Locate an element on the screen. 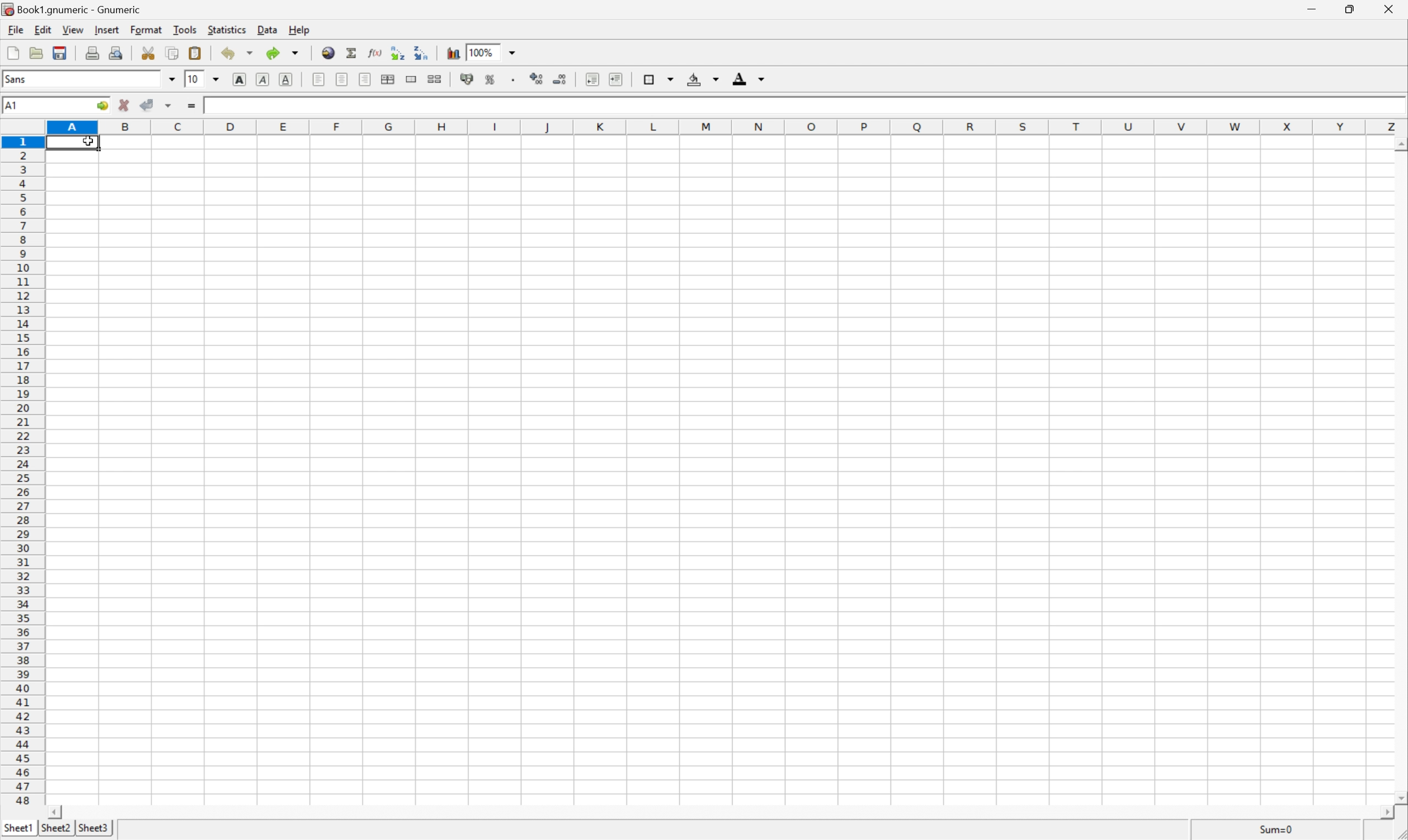 The width and height of the screenshot is (1408, 840). book1.gnumeric - Gnumeric is located at coordinates (72, 9).